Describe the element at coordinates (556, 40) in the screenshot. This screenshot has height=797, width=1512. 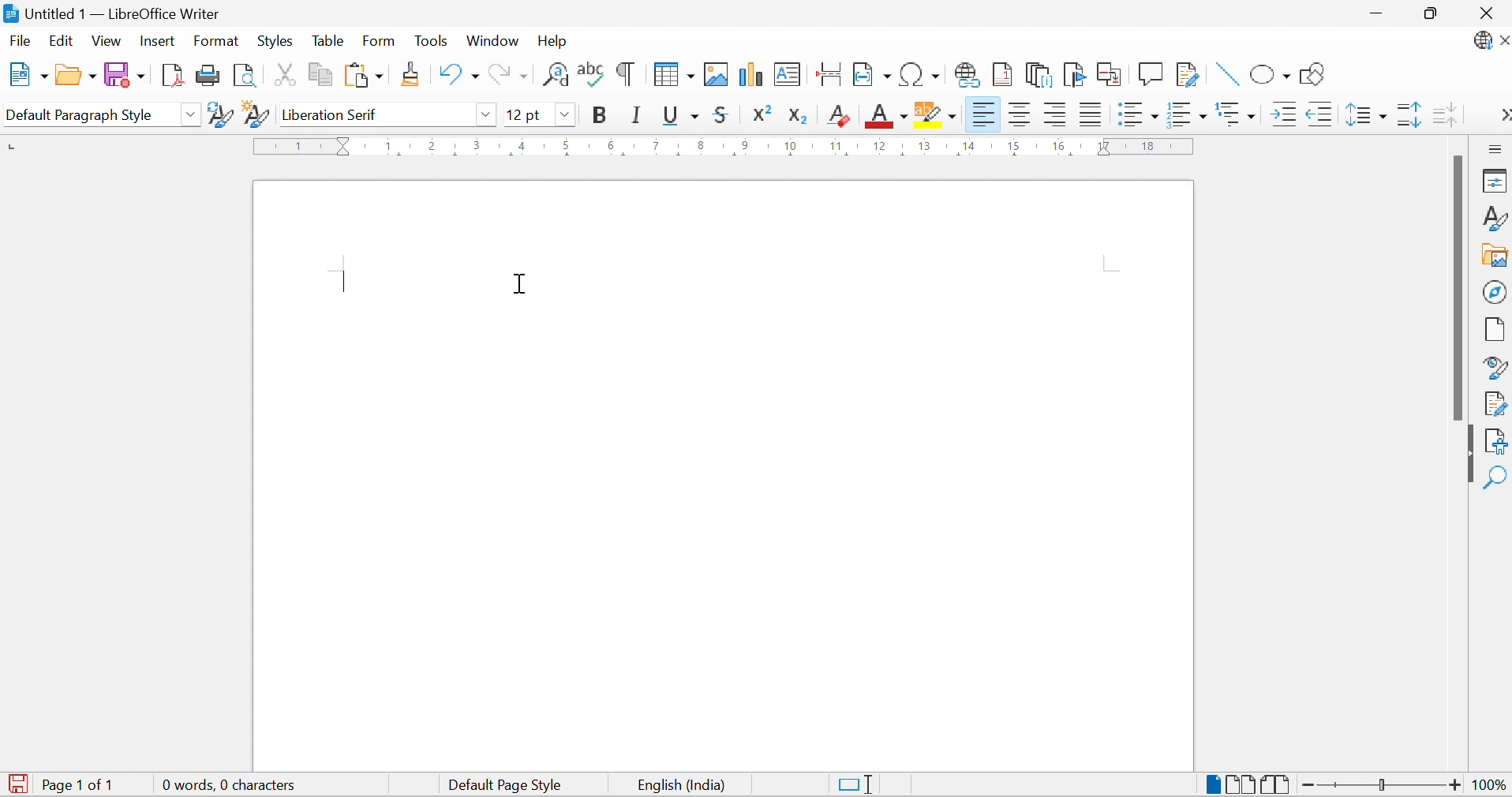
I see `Help` at that location.